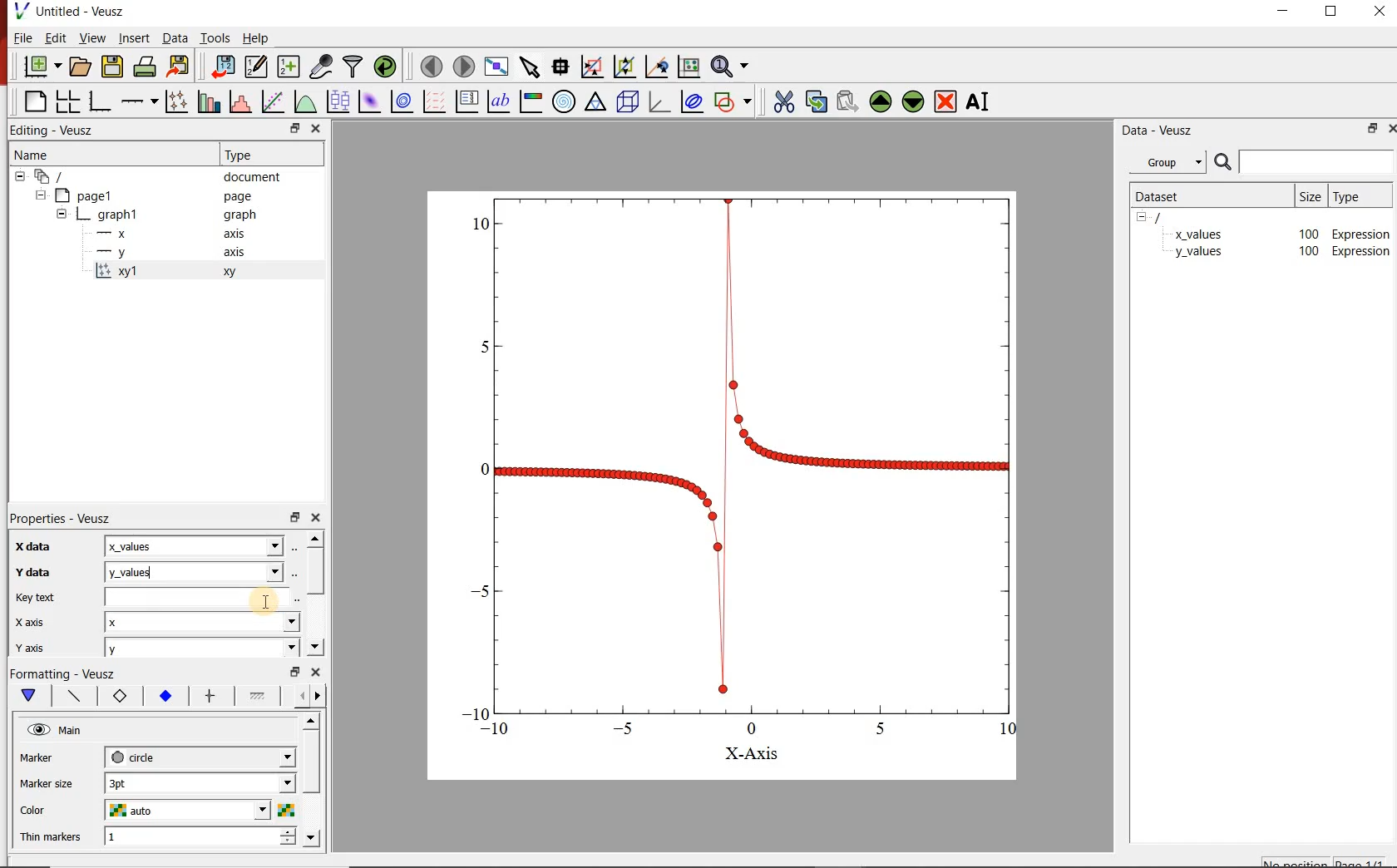 The height and width of the screenshot is (868, 1397). What do you see at coordinates (250, 177) in the screenshot?
I see `document` at bounding box center [250, 177].